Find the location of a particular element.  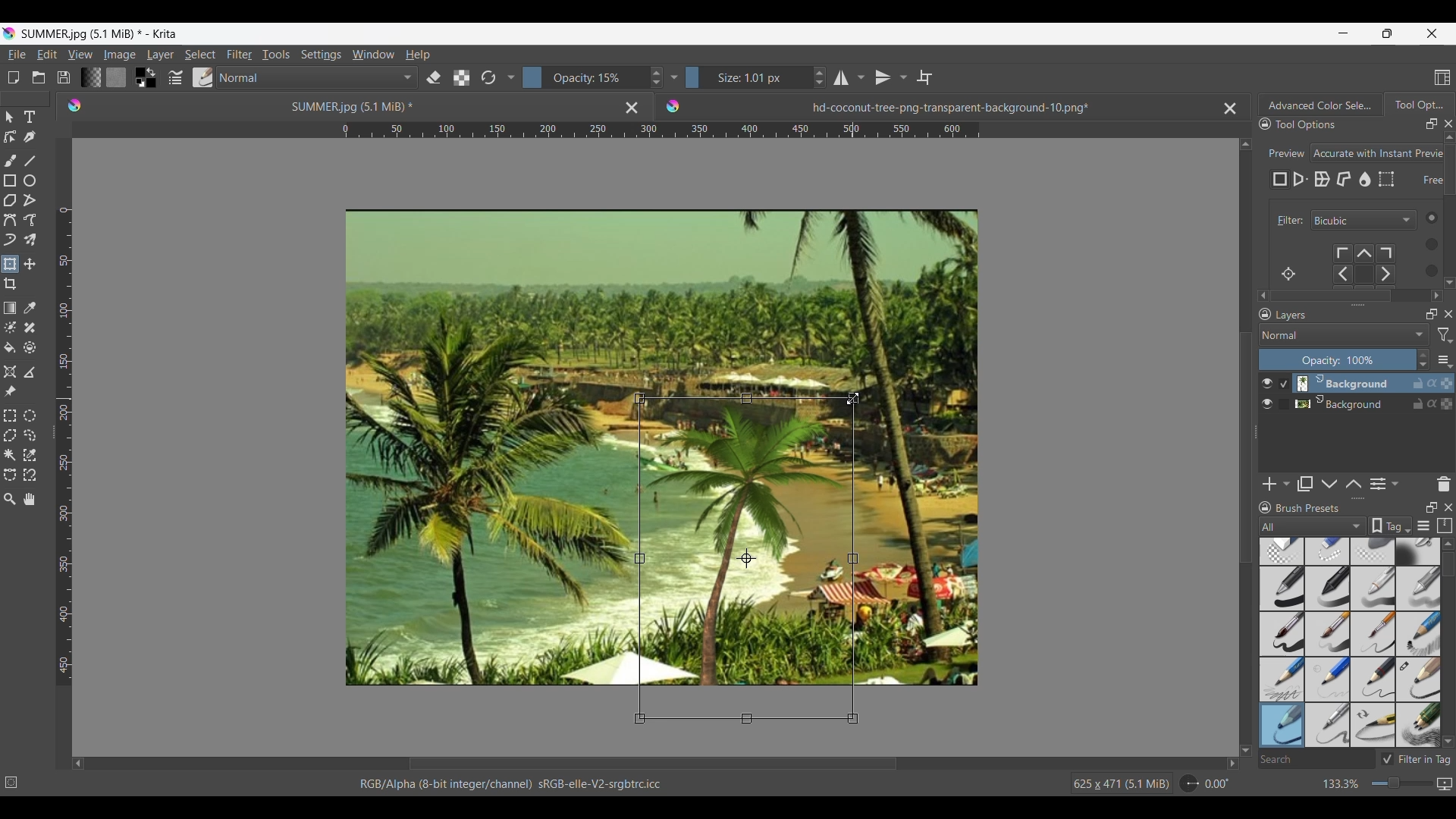

No current selection is located at coordinates (15, 780).